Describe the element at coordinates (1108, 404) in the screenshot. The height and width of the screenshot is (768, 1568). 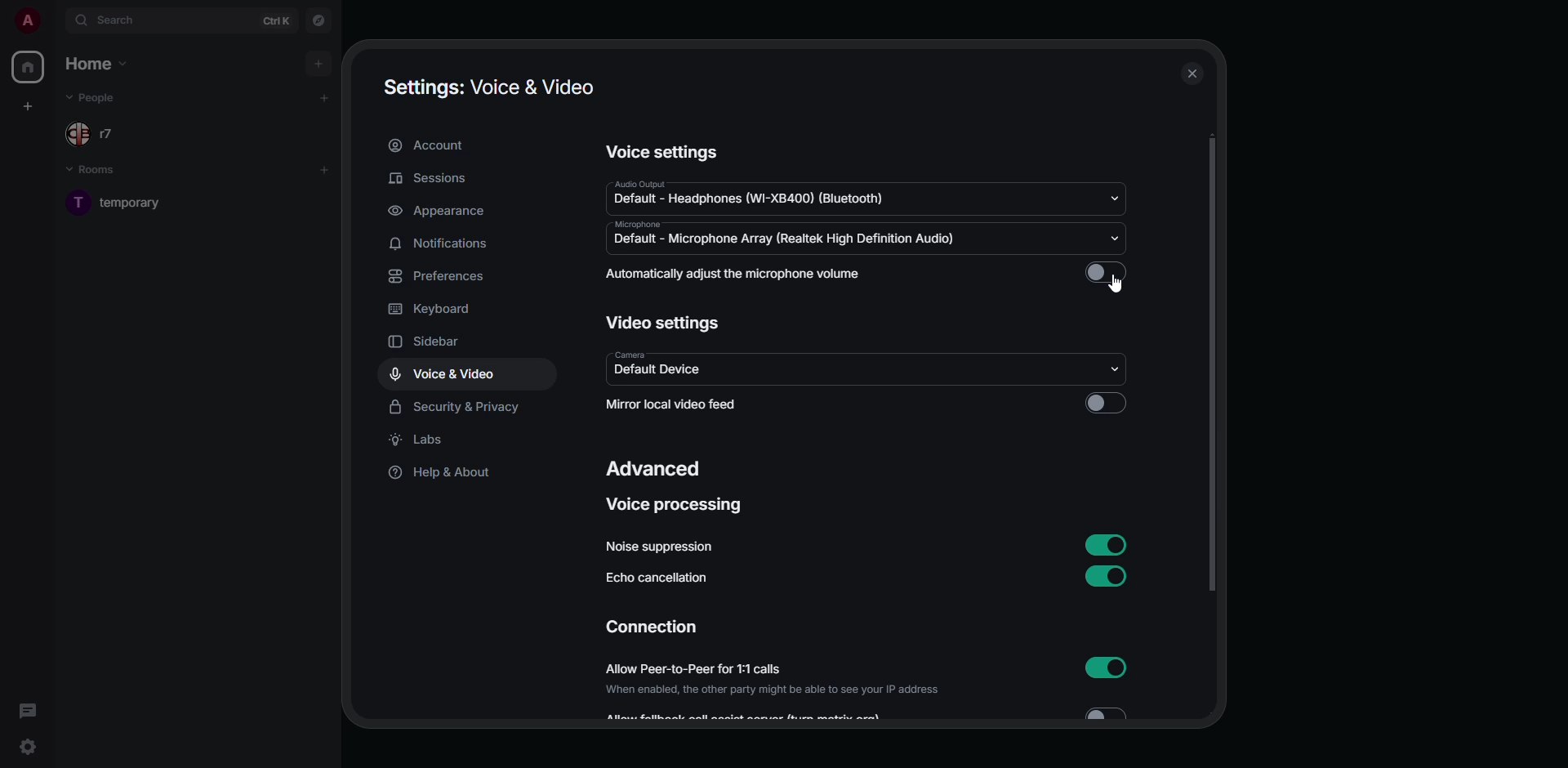
I see `click to enable` at that location.